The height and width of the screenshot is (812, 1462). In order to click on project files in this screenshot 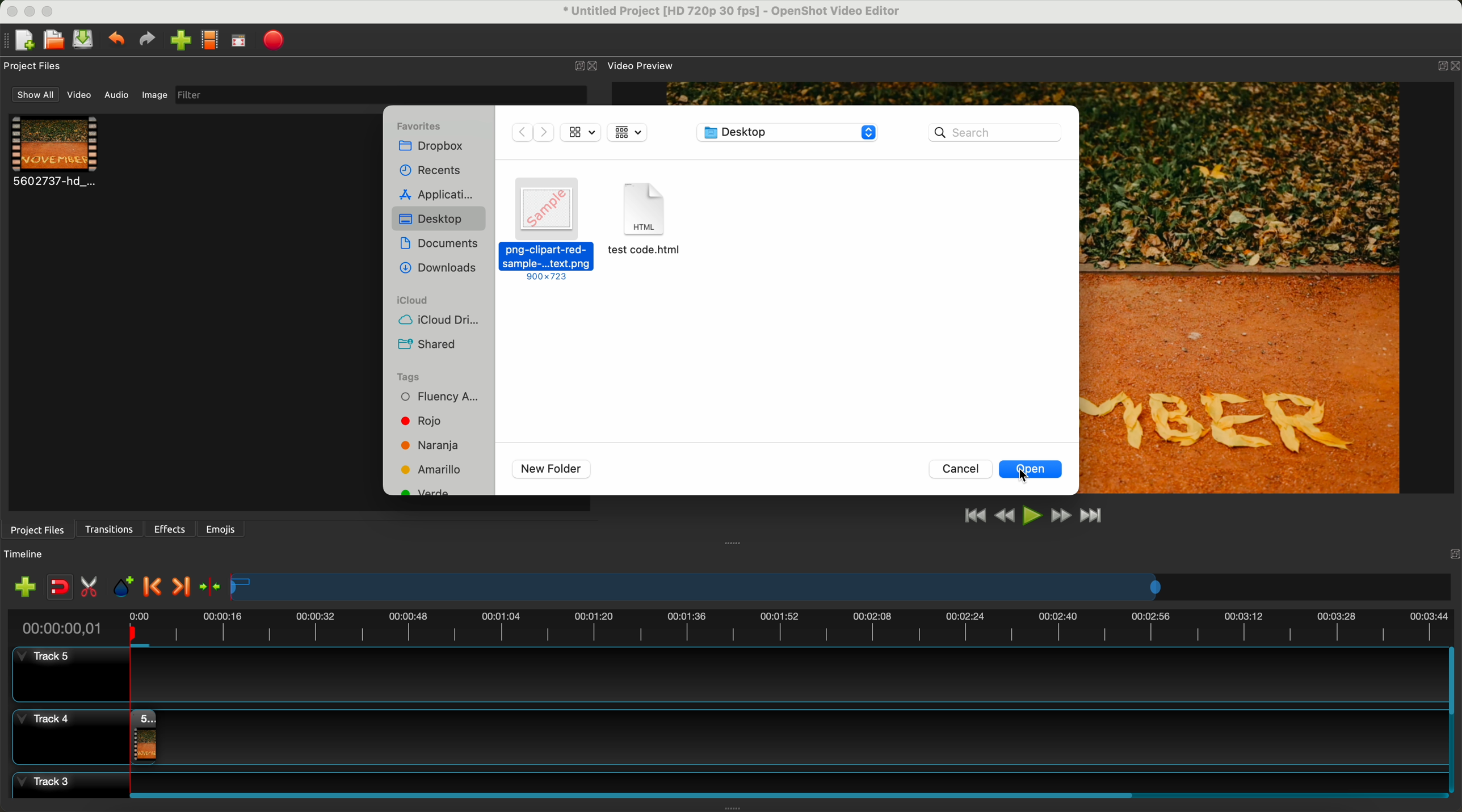, I will do `click(36, 529)`.